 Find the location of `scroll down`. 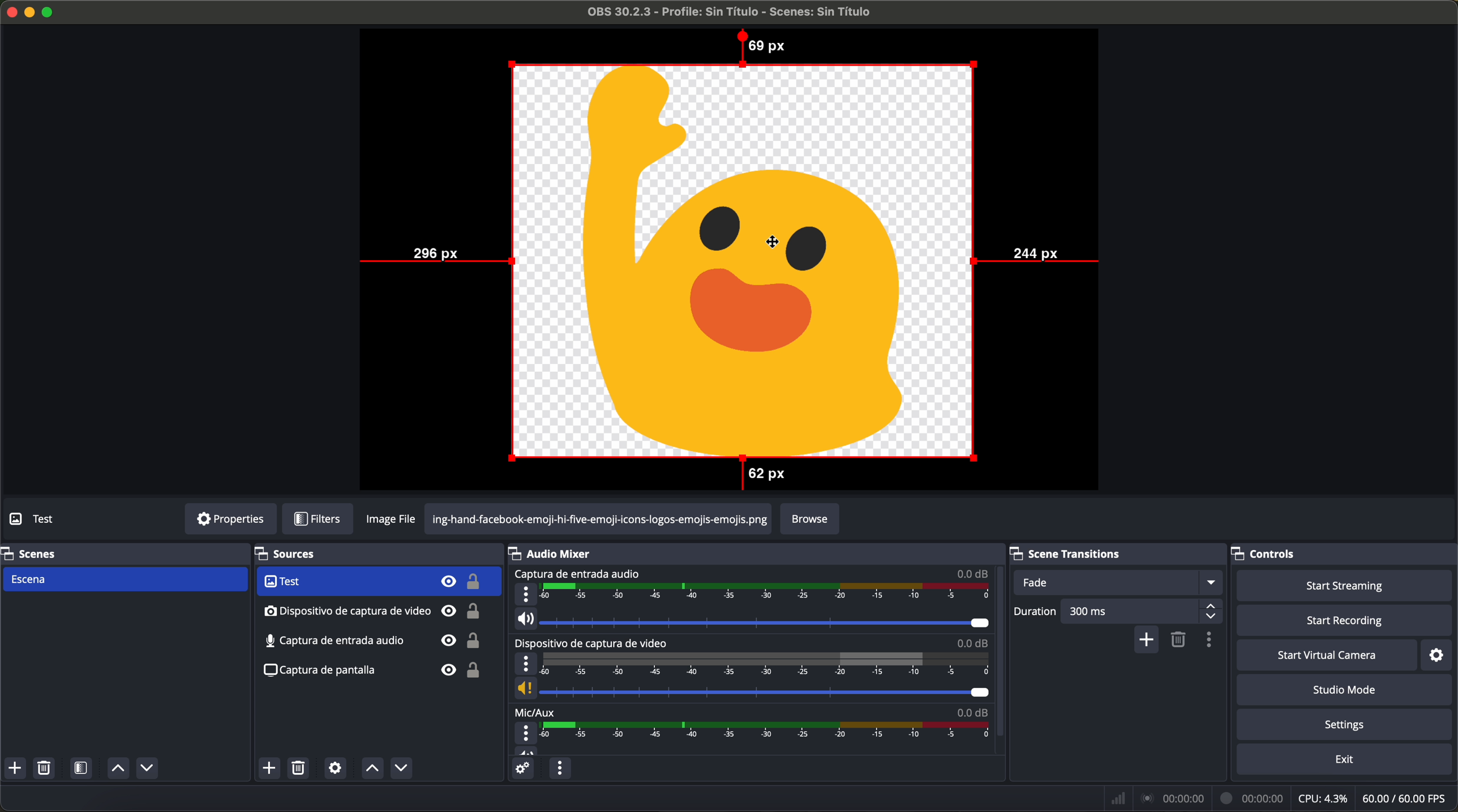

scroll down is located at coordinates (1001, 640).